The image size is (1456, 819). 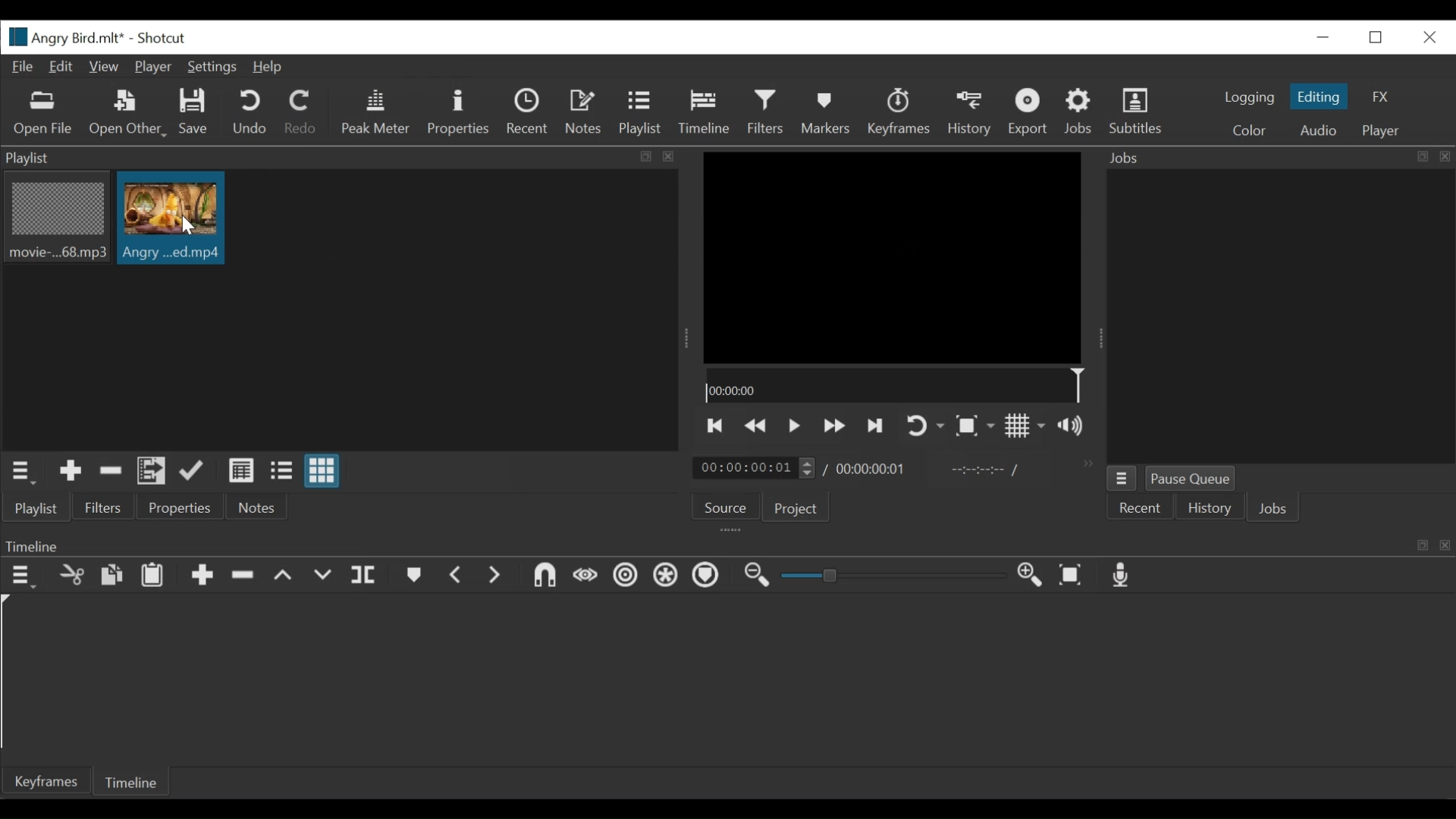 I want to click on Open Other, so click(x=127, y=114).